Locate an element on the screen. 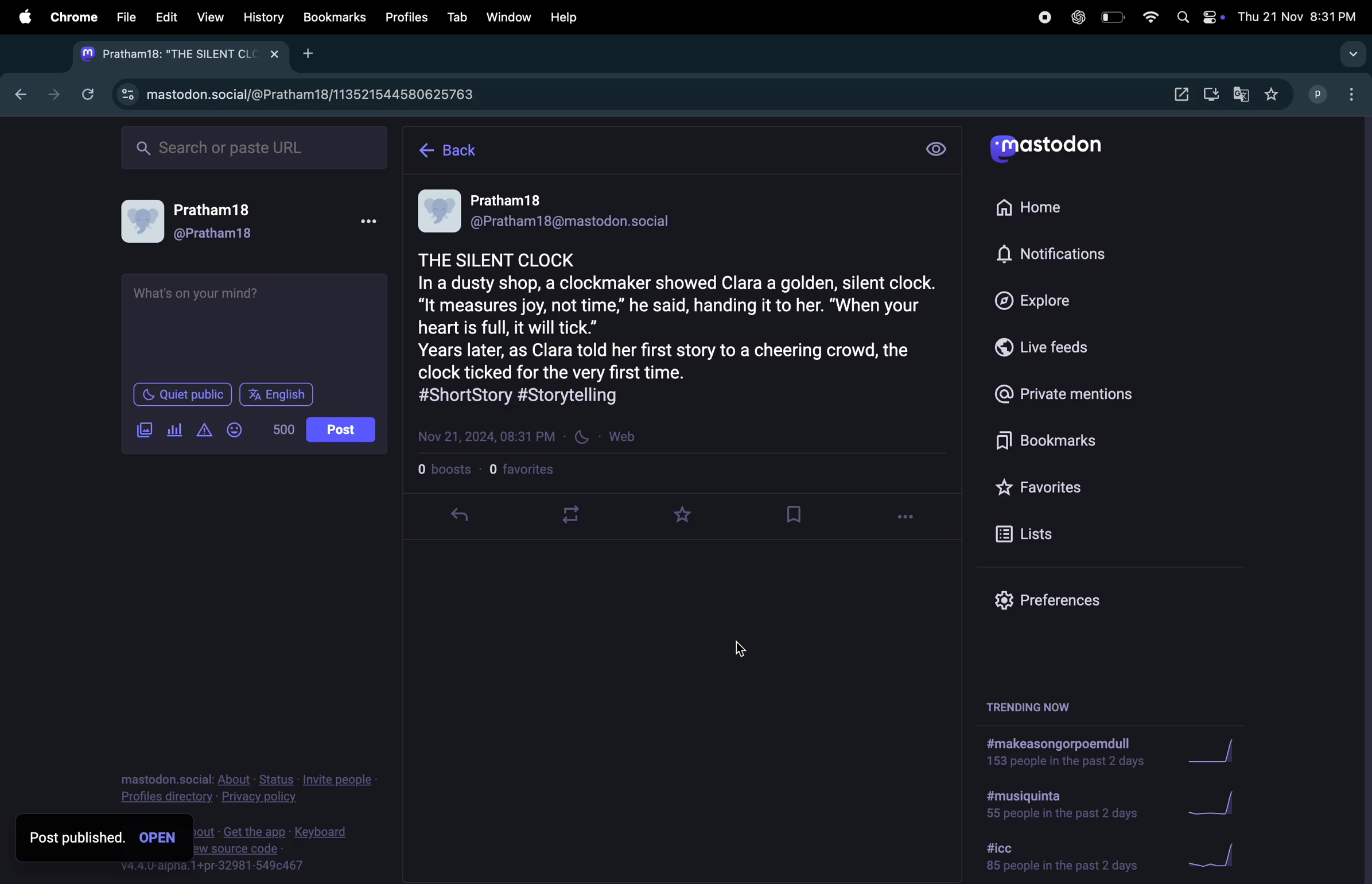 The height and width of the screenshot is (884, 1372). bookmark is located at coordinates (799, 513).